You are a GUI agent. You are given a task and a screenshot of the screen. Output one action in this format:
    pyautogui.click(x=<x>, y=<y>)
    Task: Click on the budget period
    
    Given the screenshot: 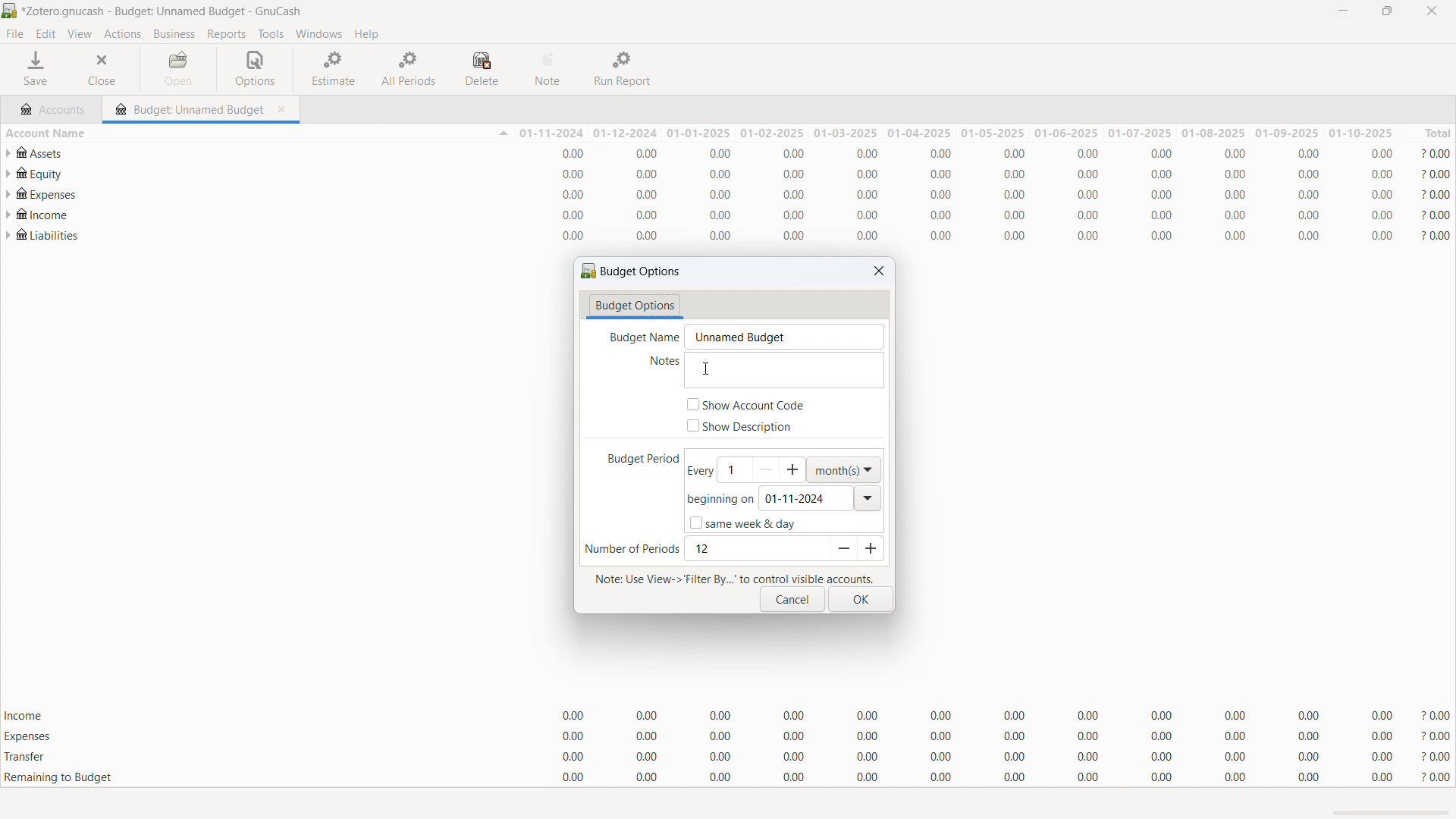 What is the action you would take?
    pyautogui.click(x=635, y=461)
    